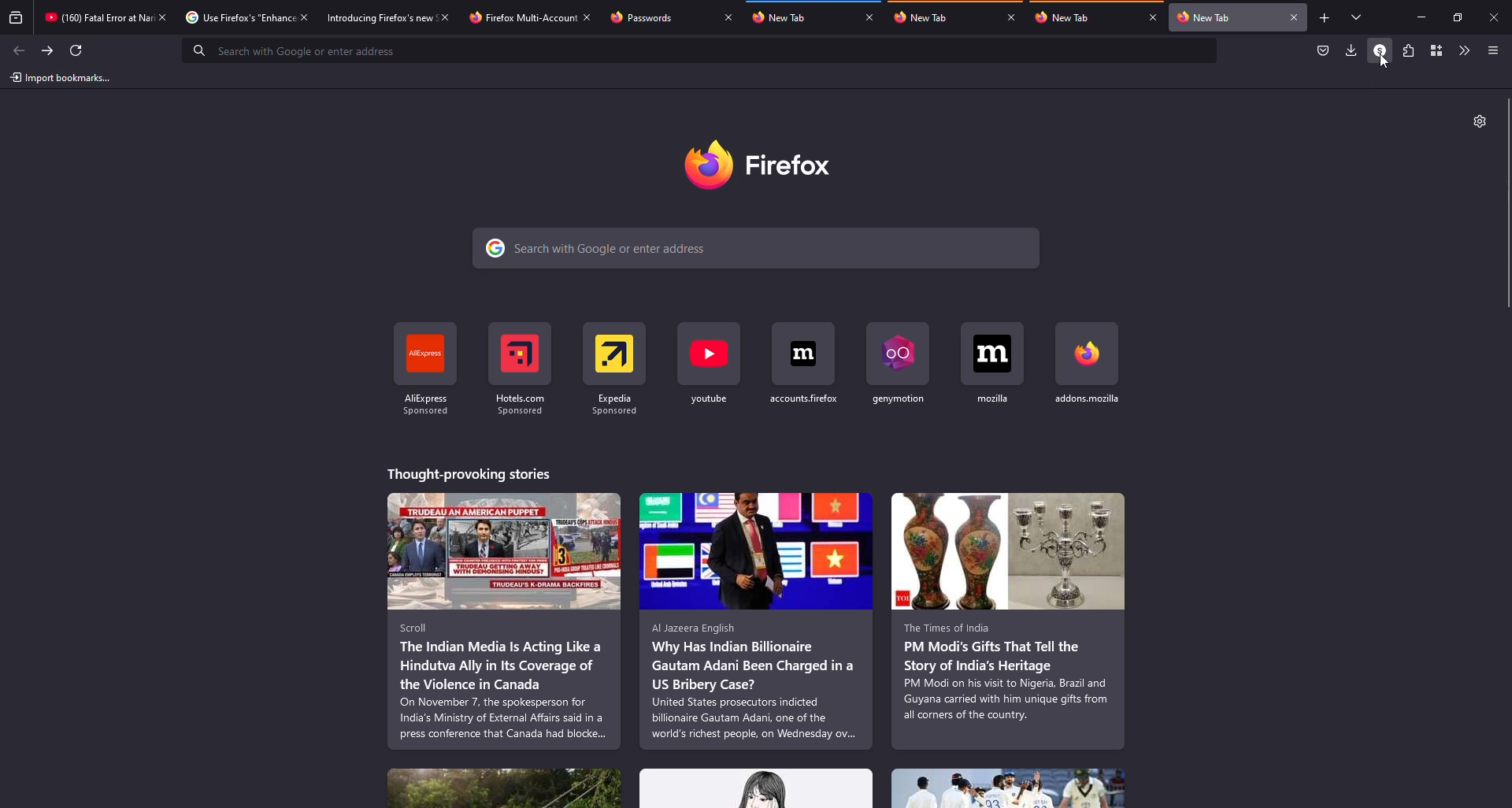 The image size is (1512, 808). I want to click on more tools, so click(1463, 49).